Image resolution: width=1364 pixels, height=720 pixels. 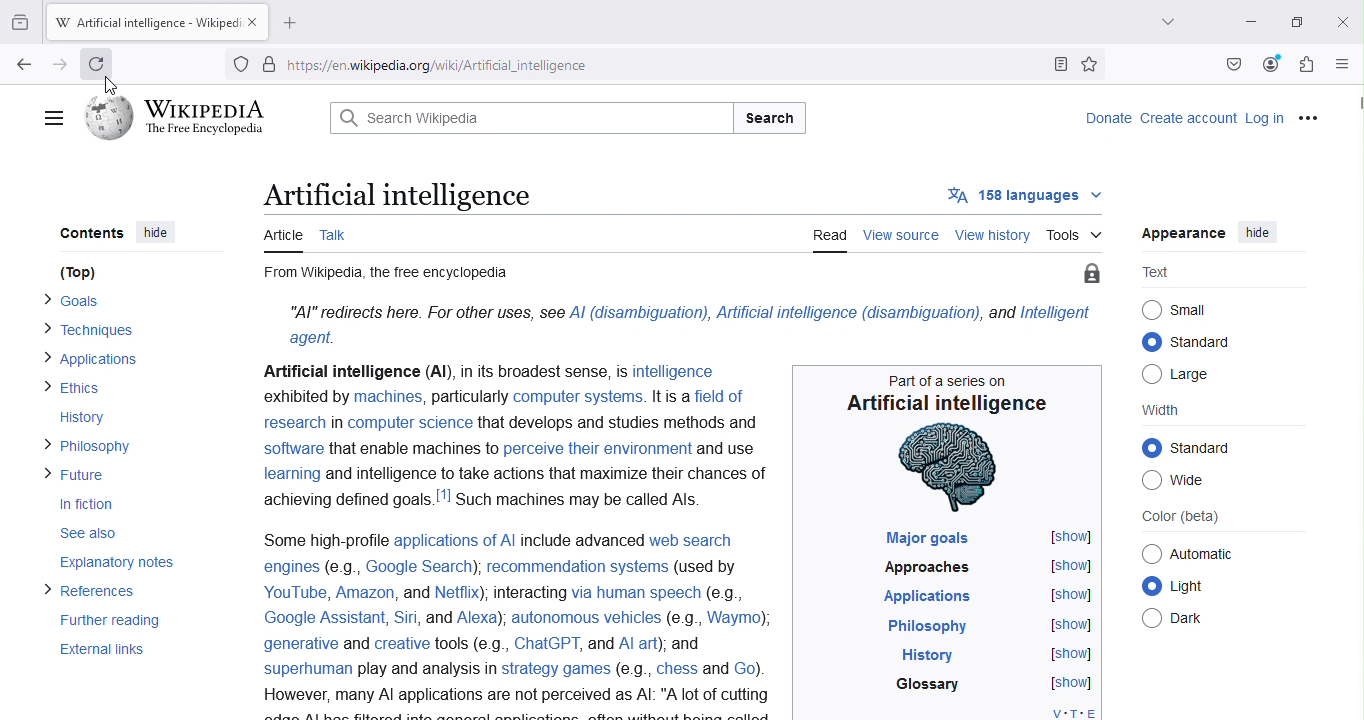 I want to click on (eg., so click(x=726, y=594).